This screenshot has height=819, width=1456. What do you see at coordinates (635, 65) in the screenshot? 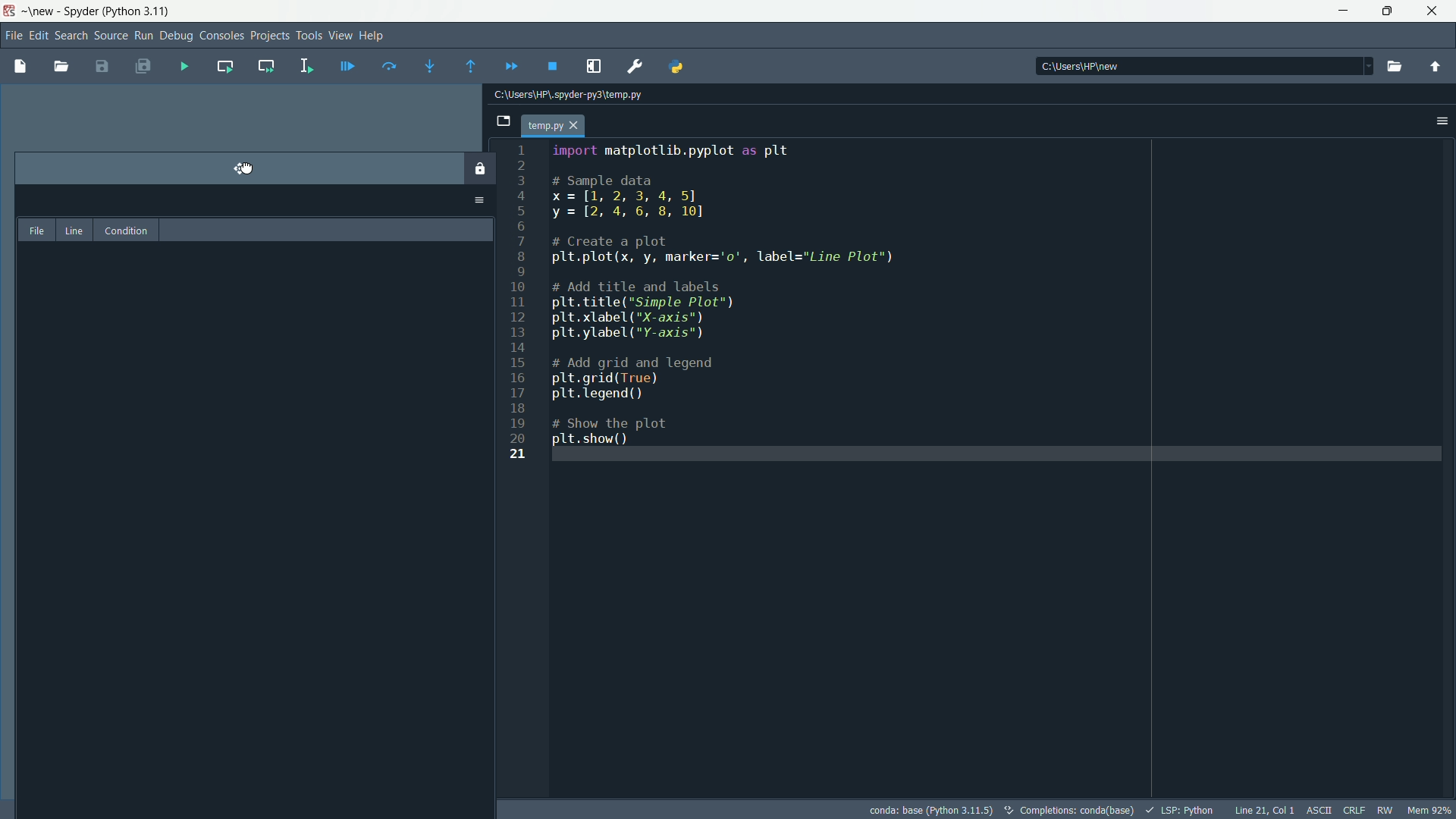
I see `preferences` at bounding box center [635, 65].